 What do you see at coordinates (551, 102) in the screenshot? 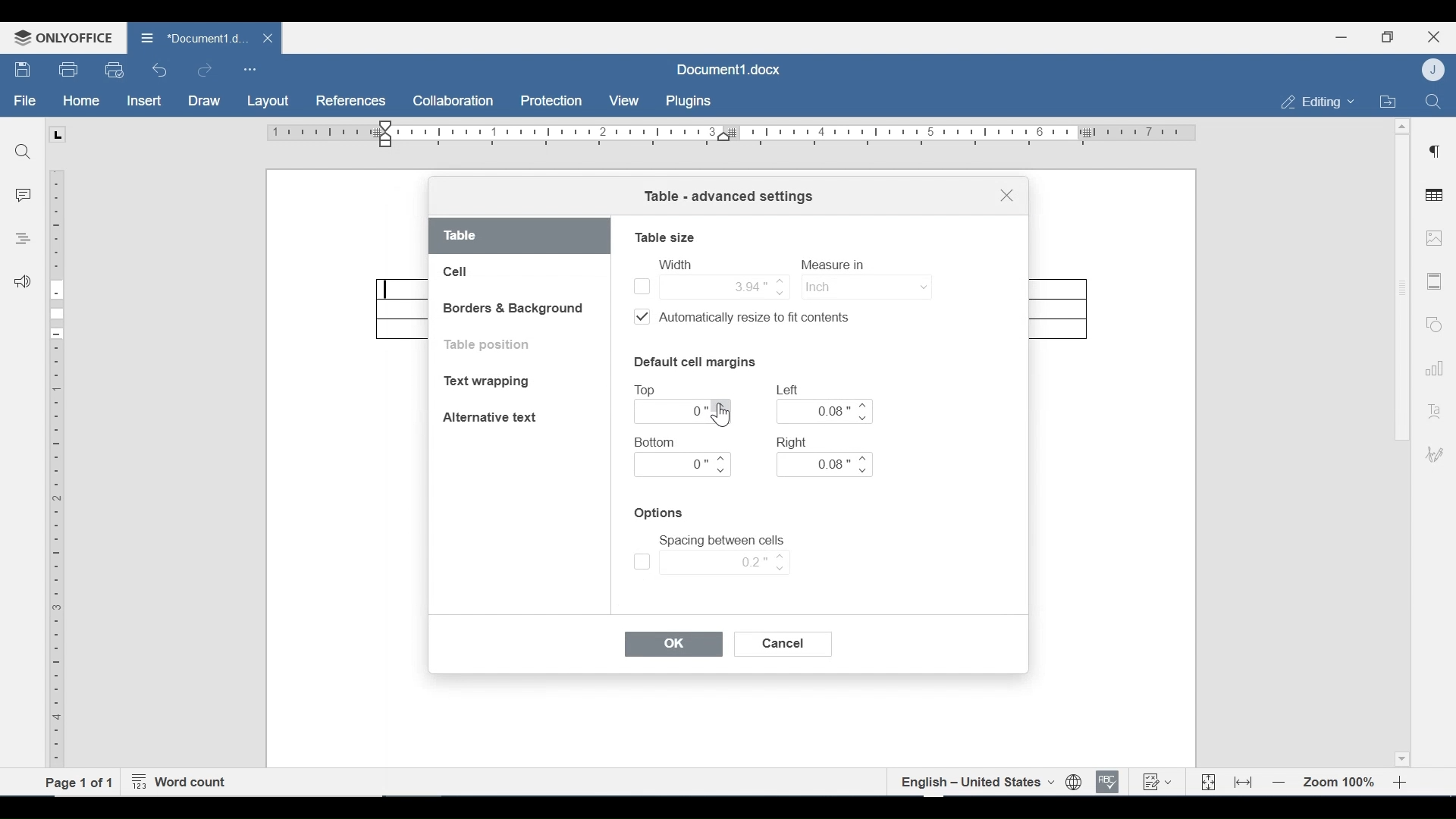
I see `Protection` at bounding box center [551, 102].